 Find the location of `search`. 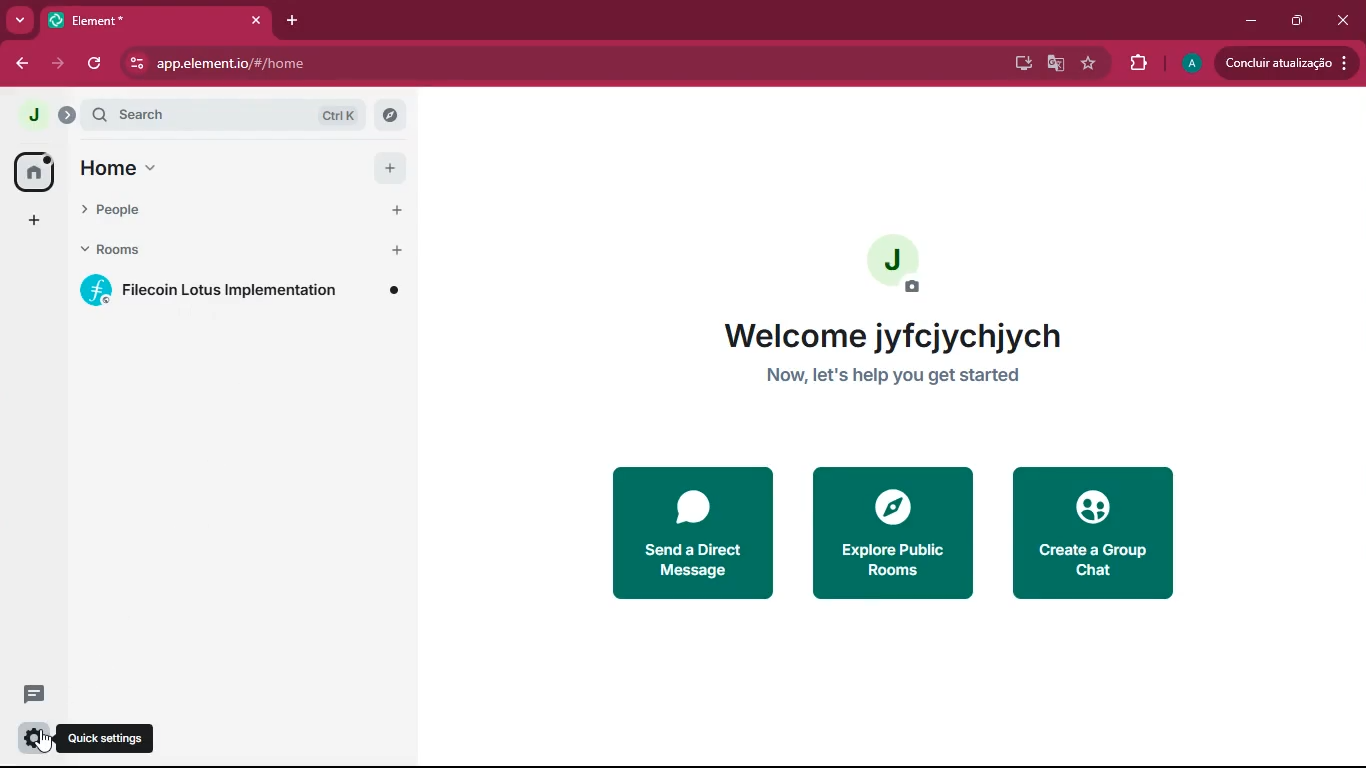

search is located at coordinates (231, 116).